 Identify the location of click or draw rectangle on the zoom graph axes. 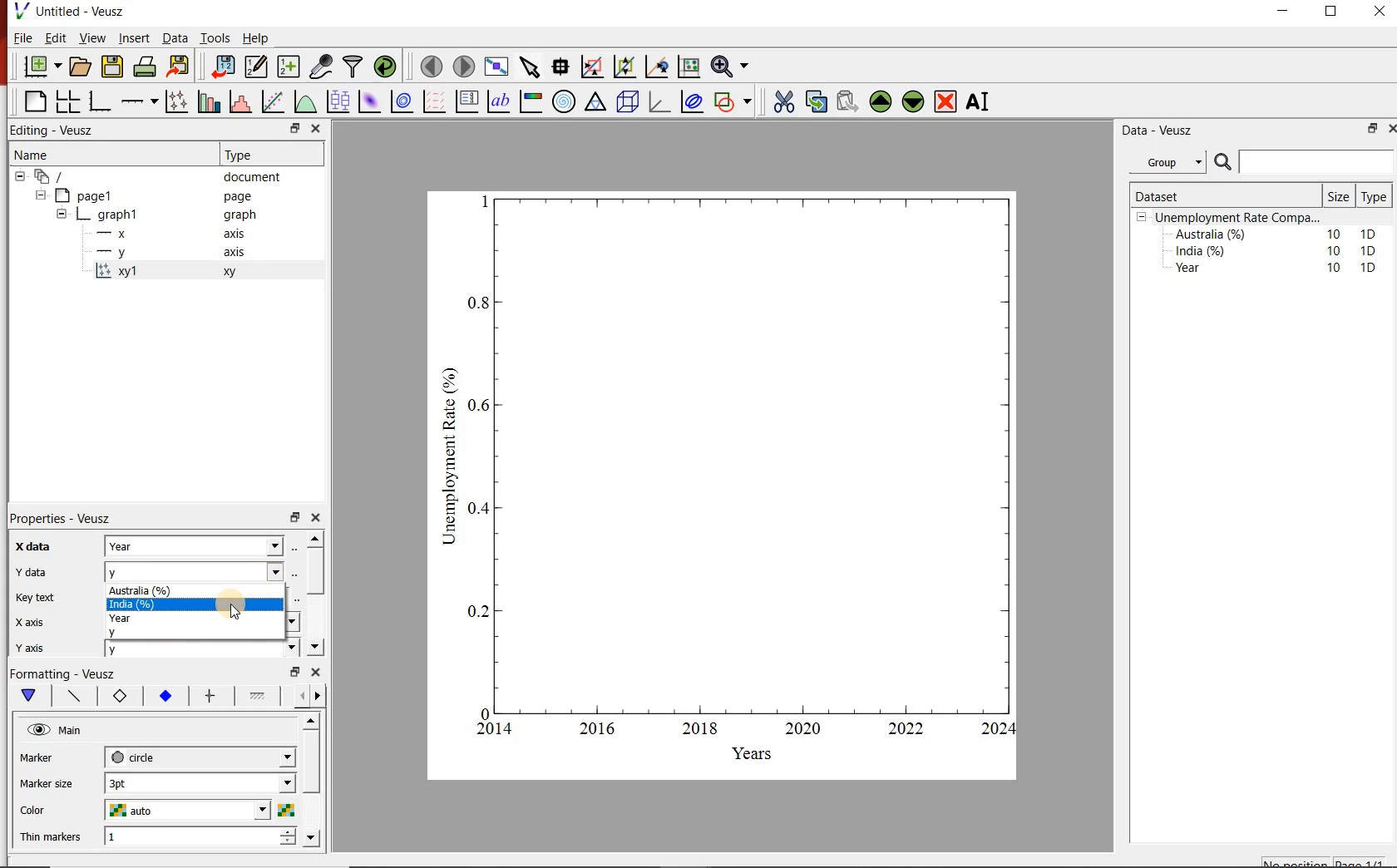
(593, 67).